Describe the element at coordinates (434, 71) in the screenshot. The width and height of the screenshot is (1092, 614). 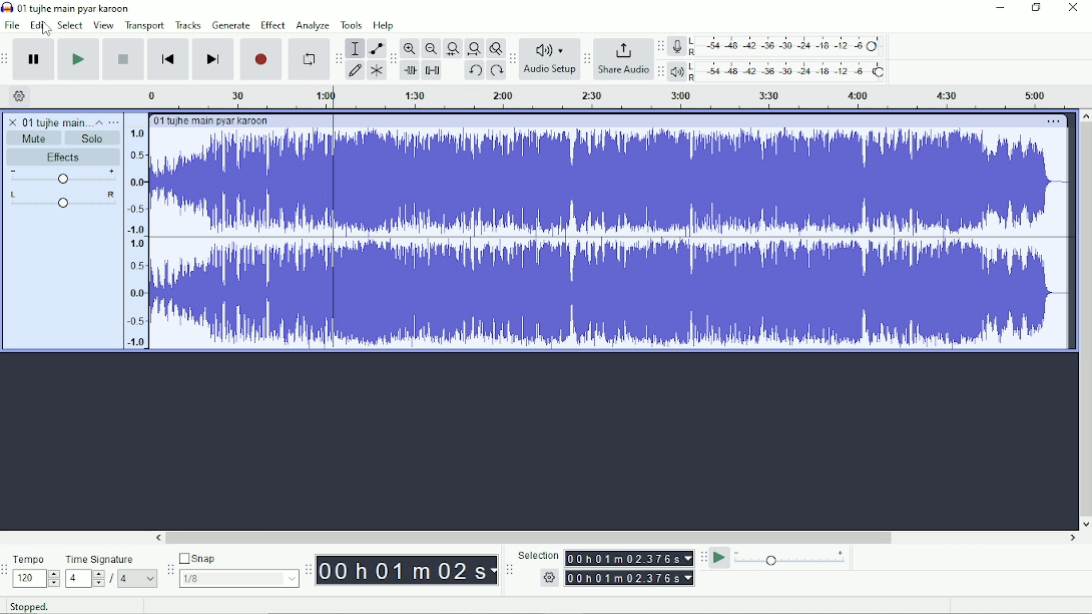
I see `Silence audio selection` at that location.